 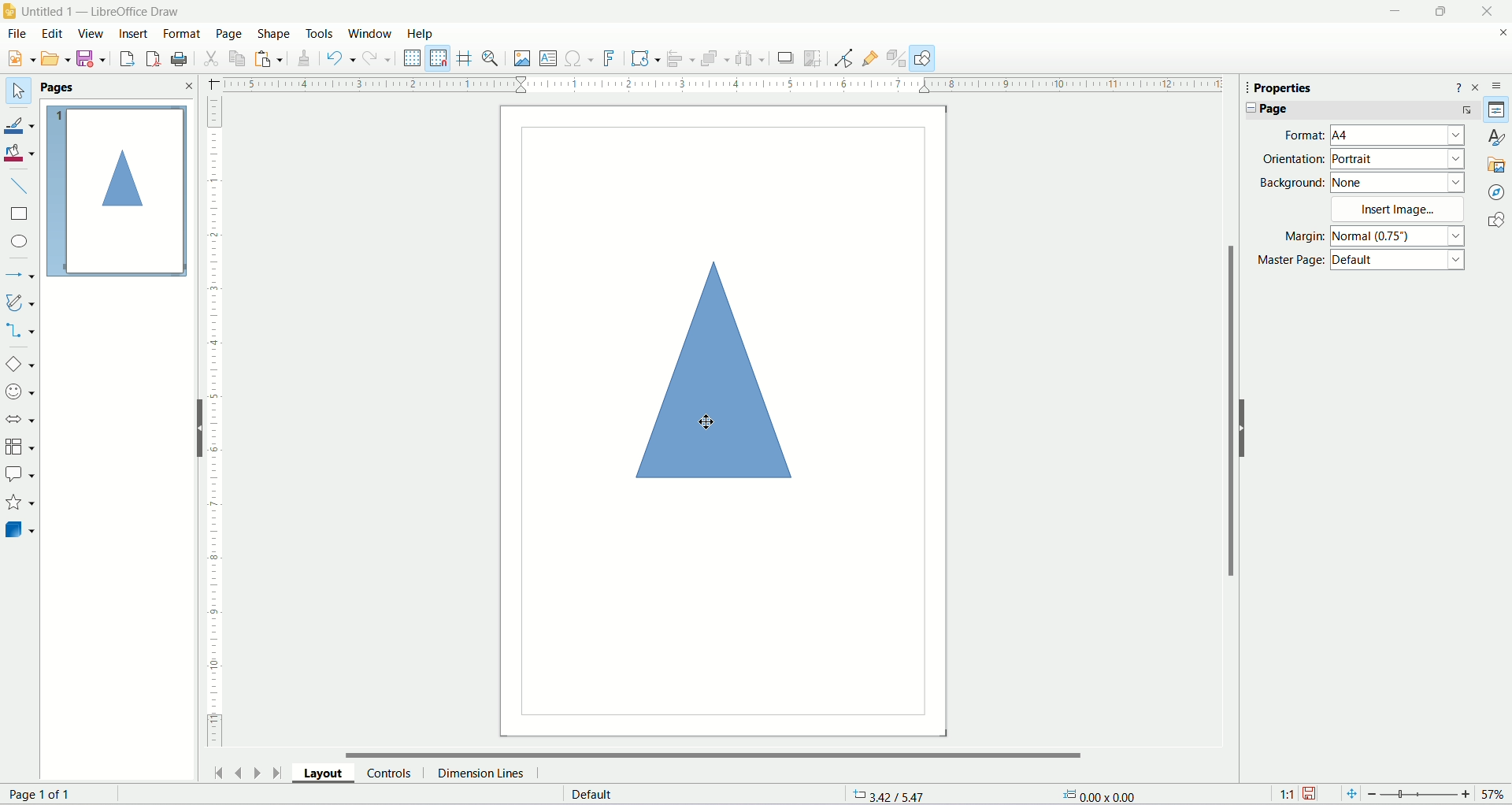 I want to click on Basic Shapes, so click(x=20, y=363).